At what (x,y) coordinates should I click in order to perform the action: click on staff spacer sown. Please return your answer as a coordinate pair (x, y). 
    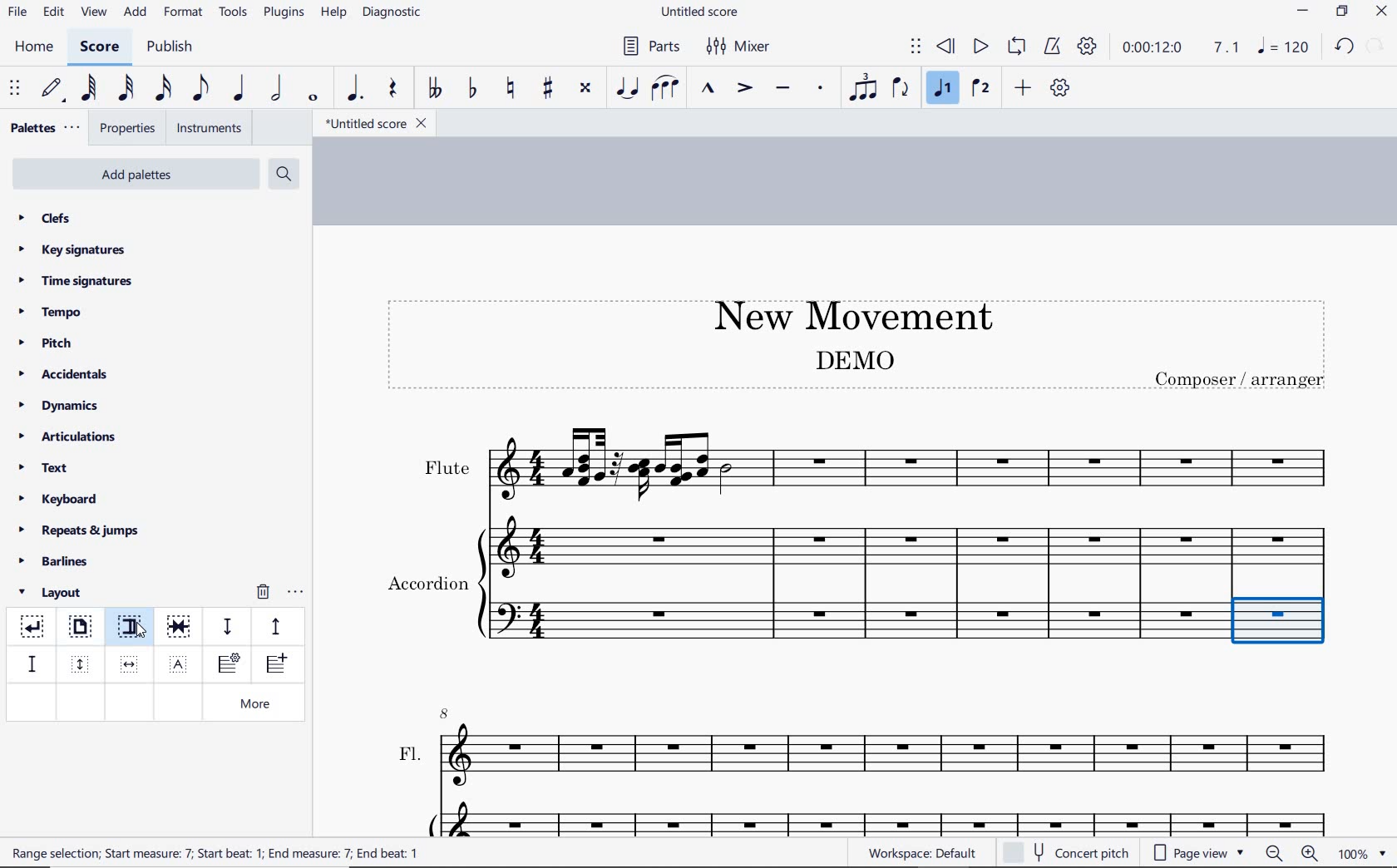
    Looking at the image, I should click on (227, 627).